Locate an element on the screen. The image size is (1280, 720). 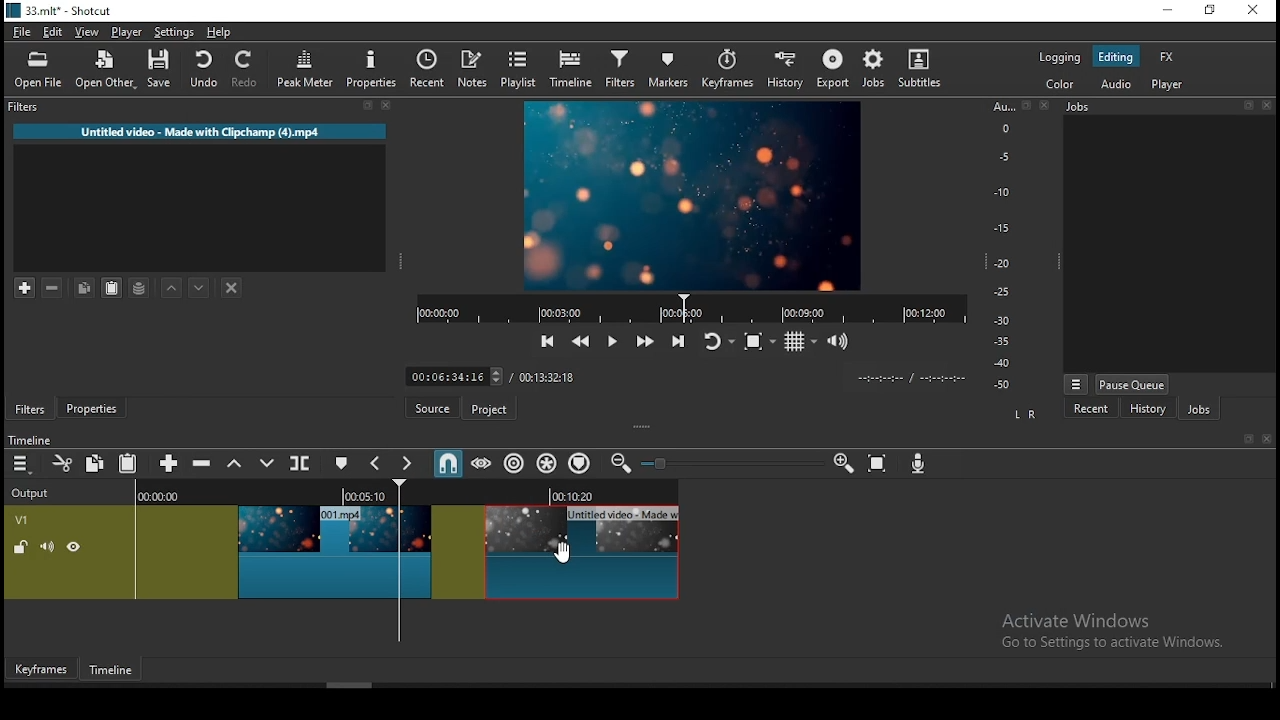
timer is located at coordinates (686, 308).